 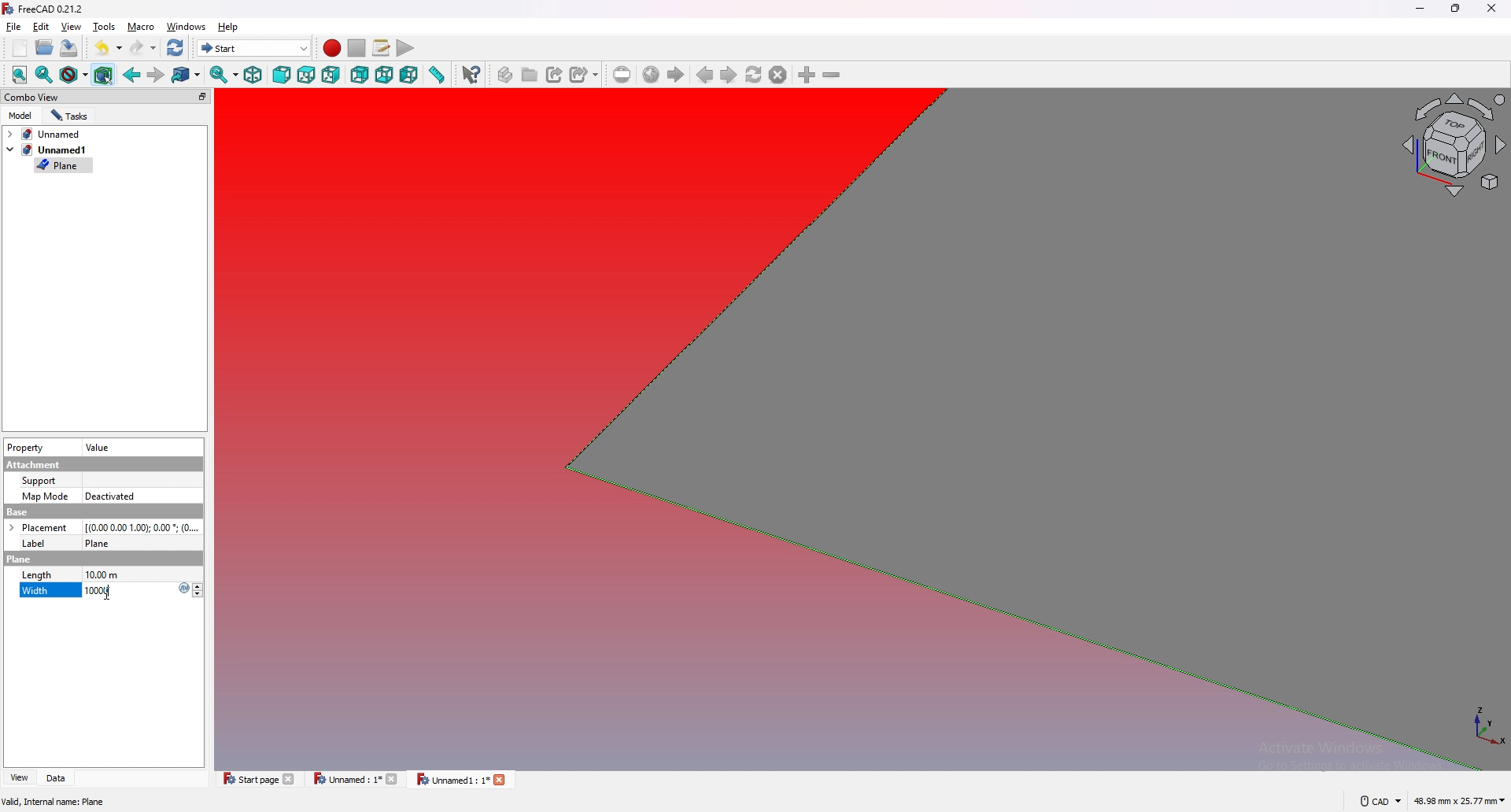 I want to click on front, so click(x=282, y=75).